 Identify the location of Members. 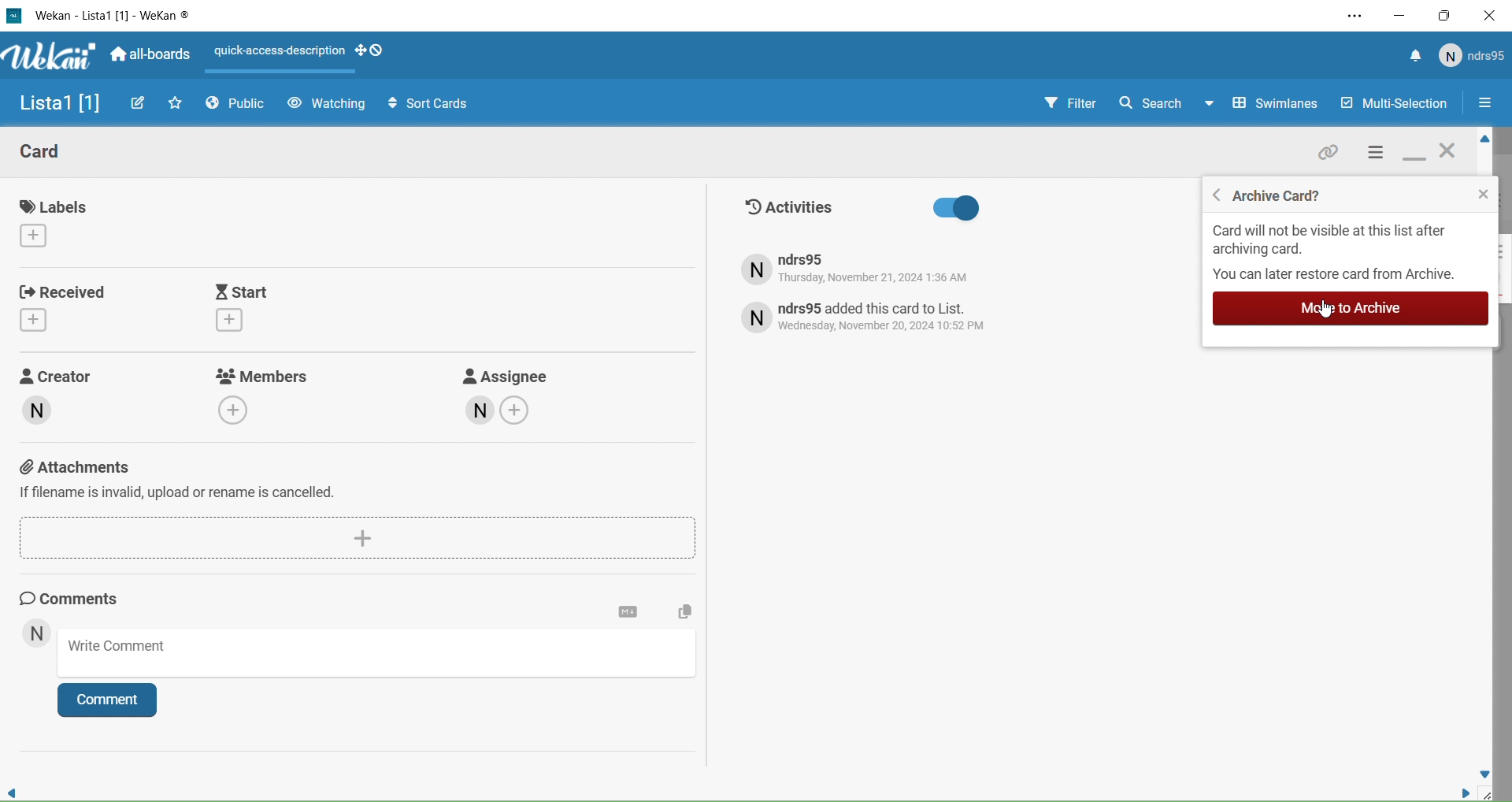
(256, 397).